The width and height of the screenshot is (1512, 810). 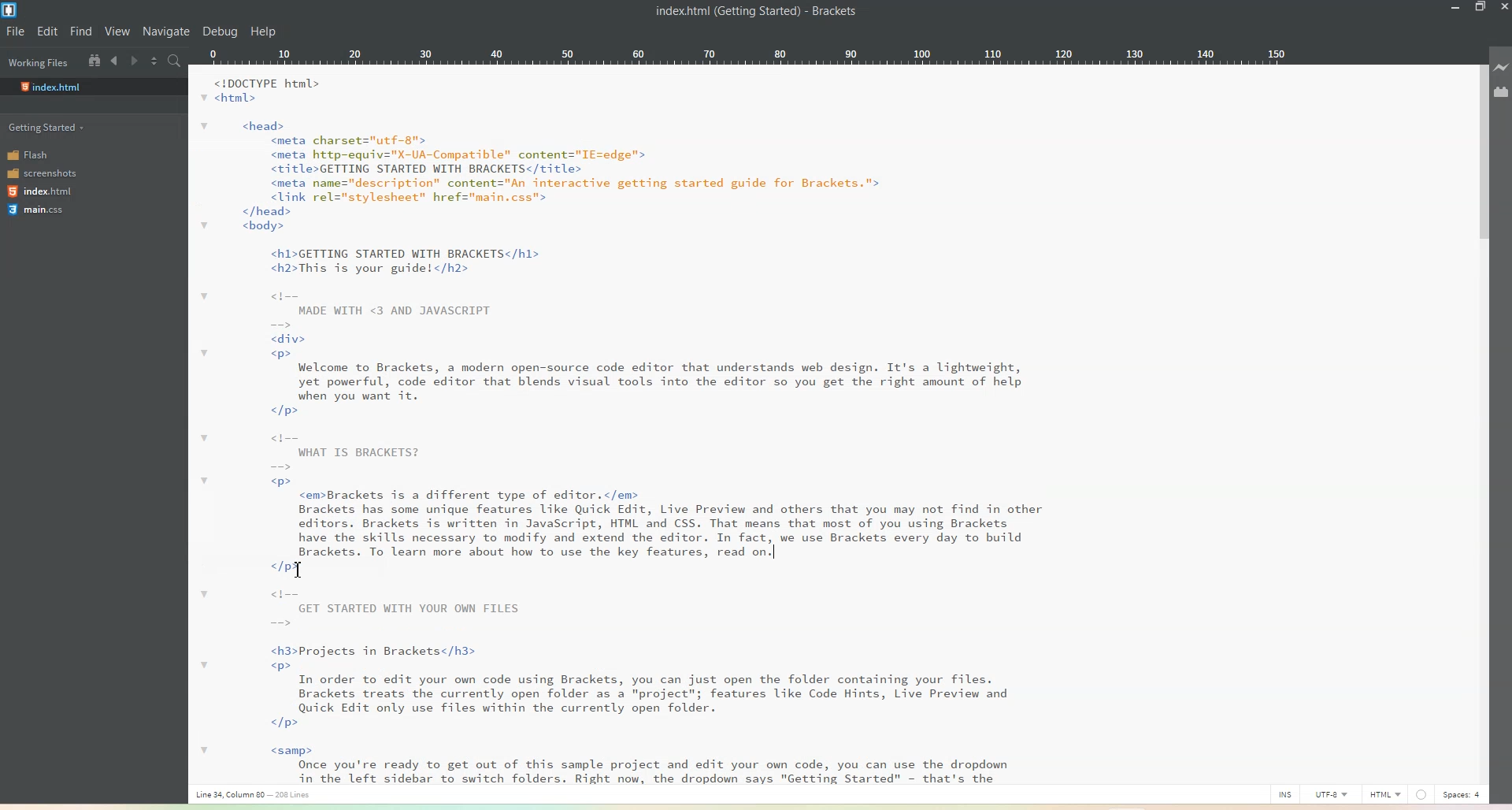 What do you see at coordinates (117, 31) in the screenshot?
I see `View` at bounding box center [117, 31].